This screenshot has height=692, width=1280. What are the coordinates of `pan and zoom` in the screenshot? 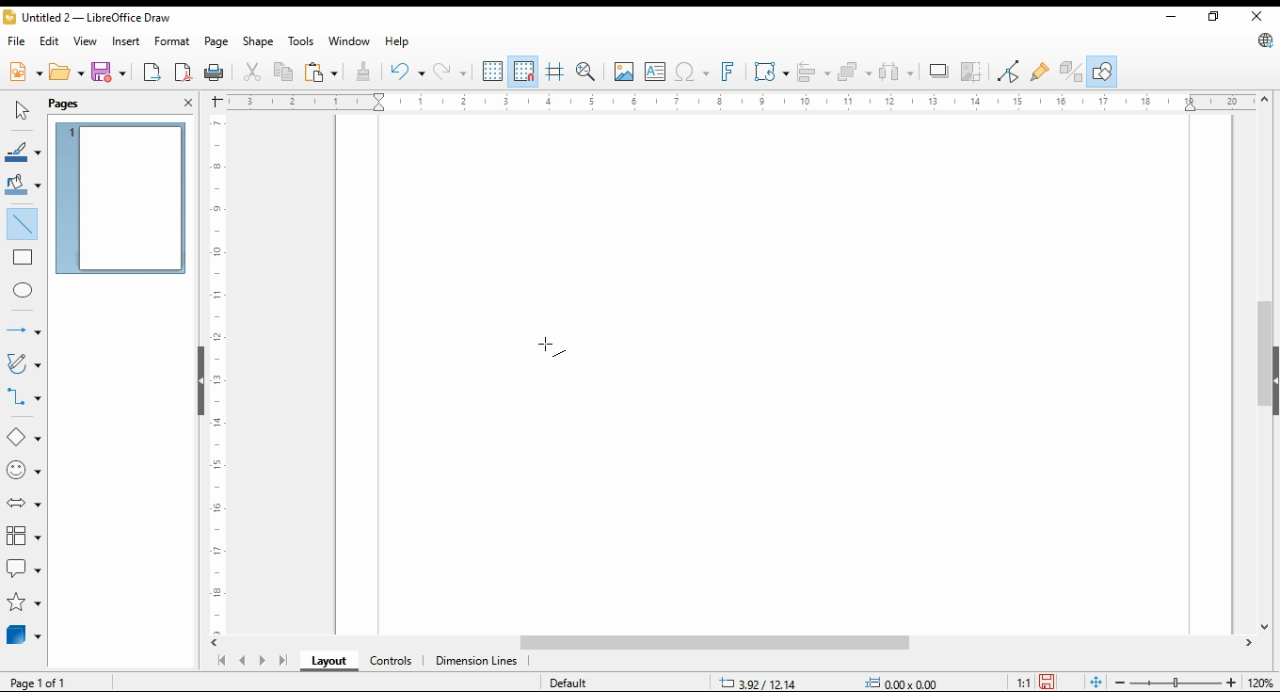 It's located at (587, 72).